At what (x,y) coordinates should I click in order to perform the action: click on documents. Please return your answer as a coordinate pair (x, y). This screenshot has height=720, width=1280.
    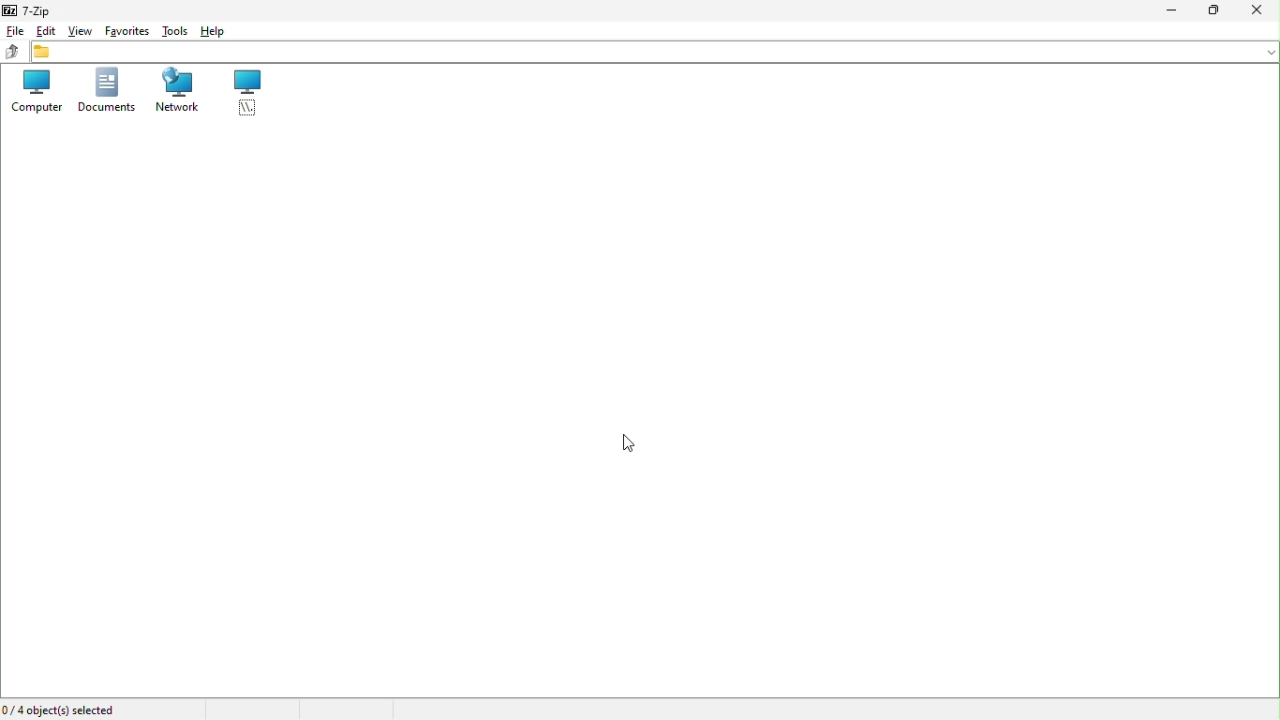
    Looking at the image, I should click on (103, 93).